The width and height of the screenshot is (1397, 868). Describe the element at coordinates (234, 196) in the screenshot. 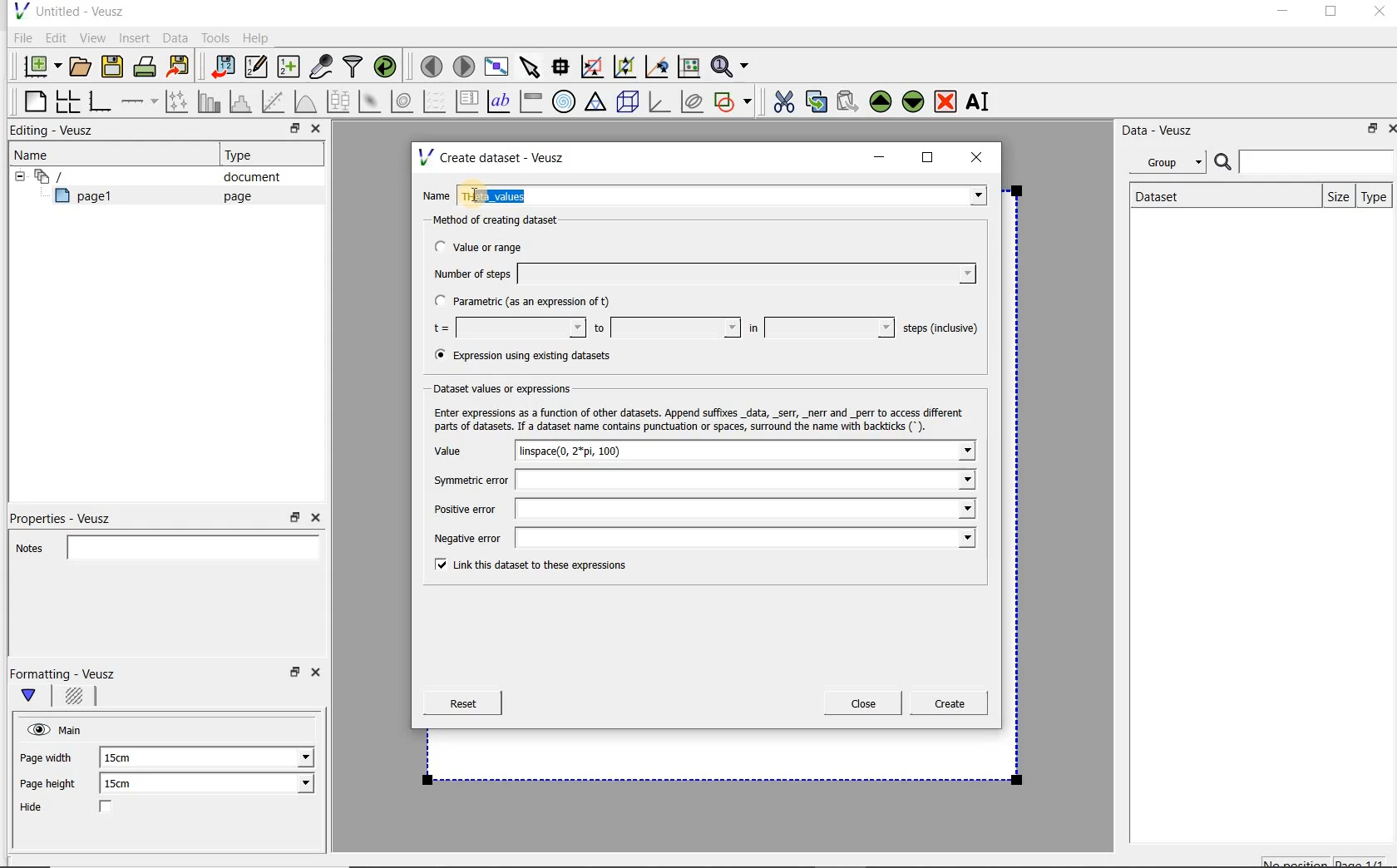

I see `page` at that location.